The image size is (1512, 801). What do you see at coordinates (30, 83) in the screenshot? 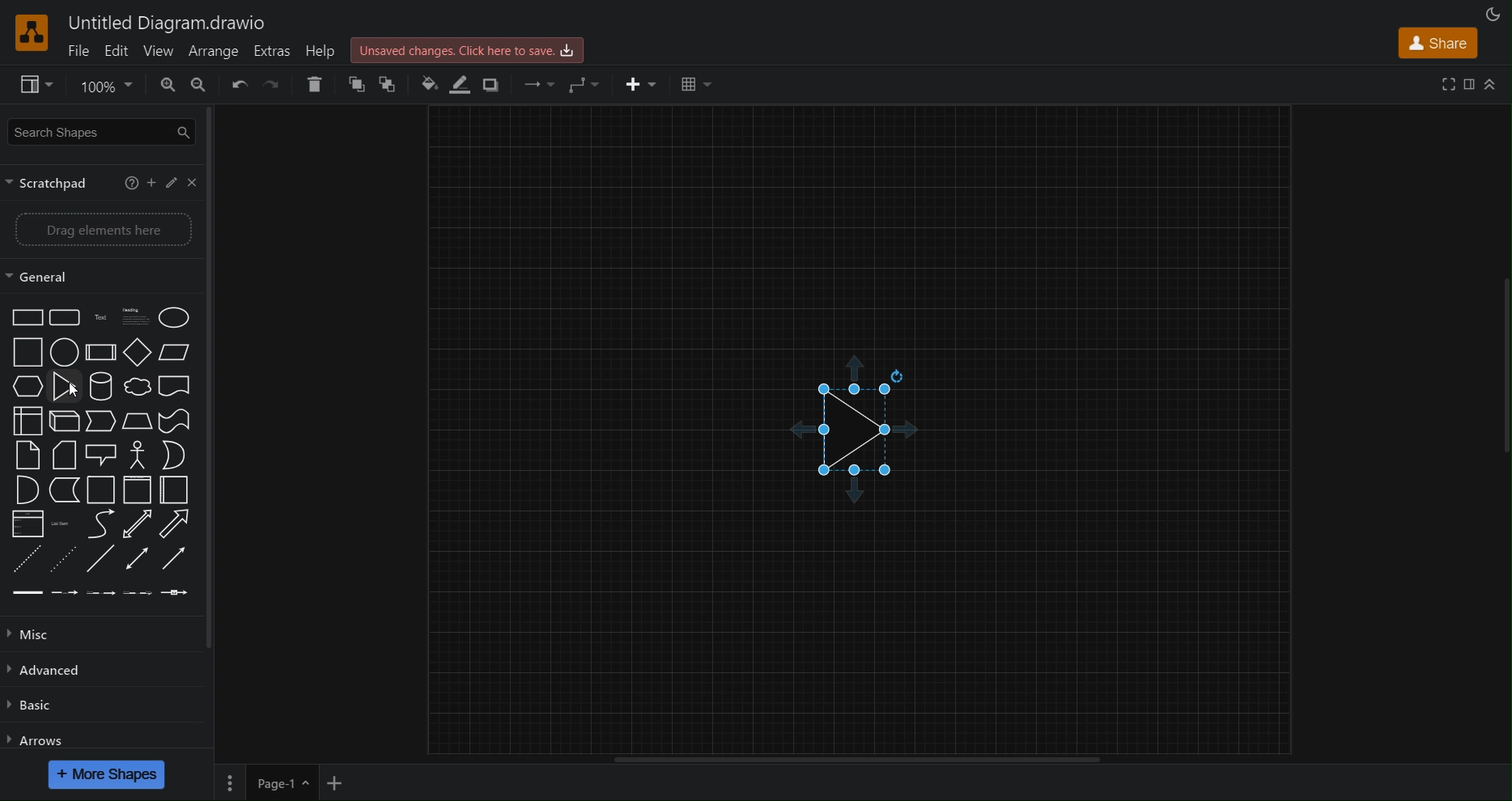
I see `View` at bounding box center [30, 83].